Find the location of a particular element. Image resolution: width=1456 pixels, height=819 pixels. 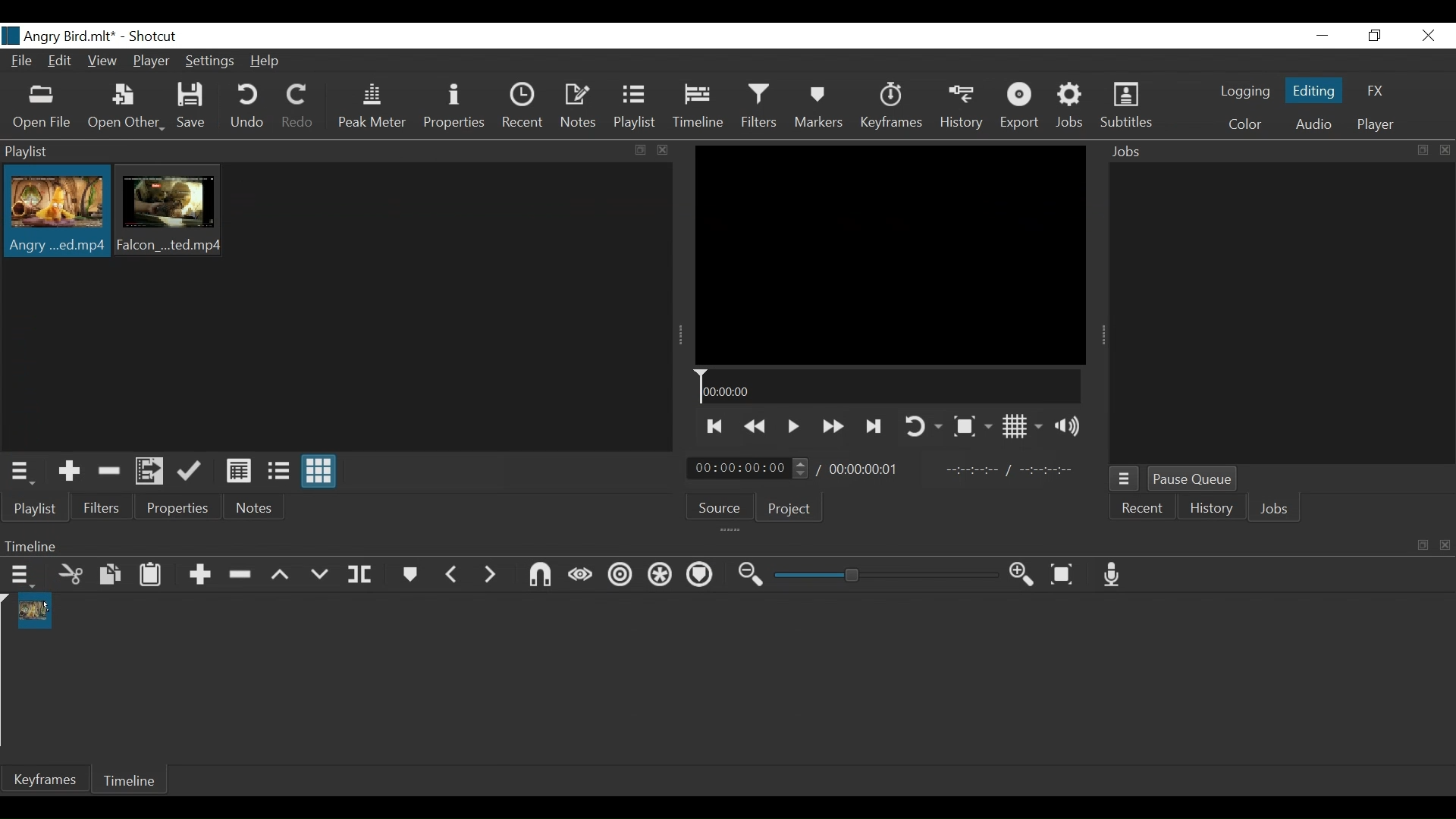

Lift is located at coordinates (284, 575).